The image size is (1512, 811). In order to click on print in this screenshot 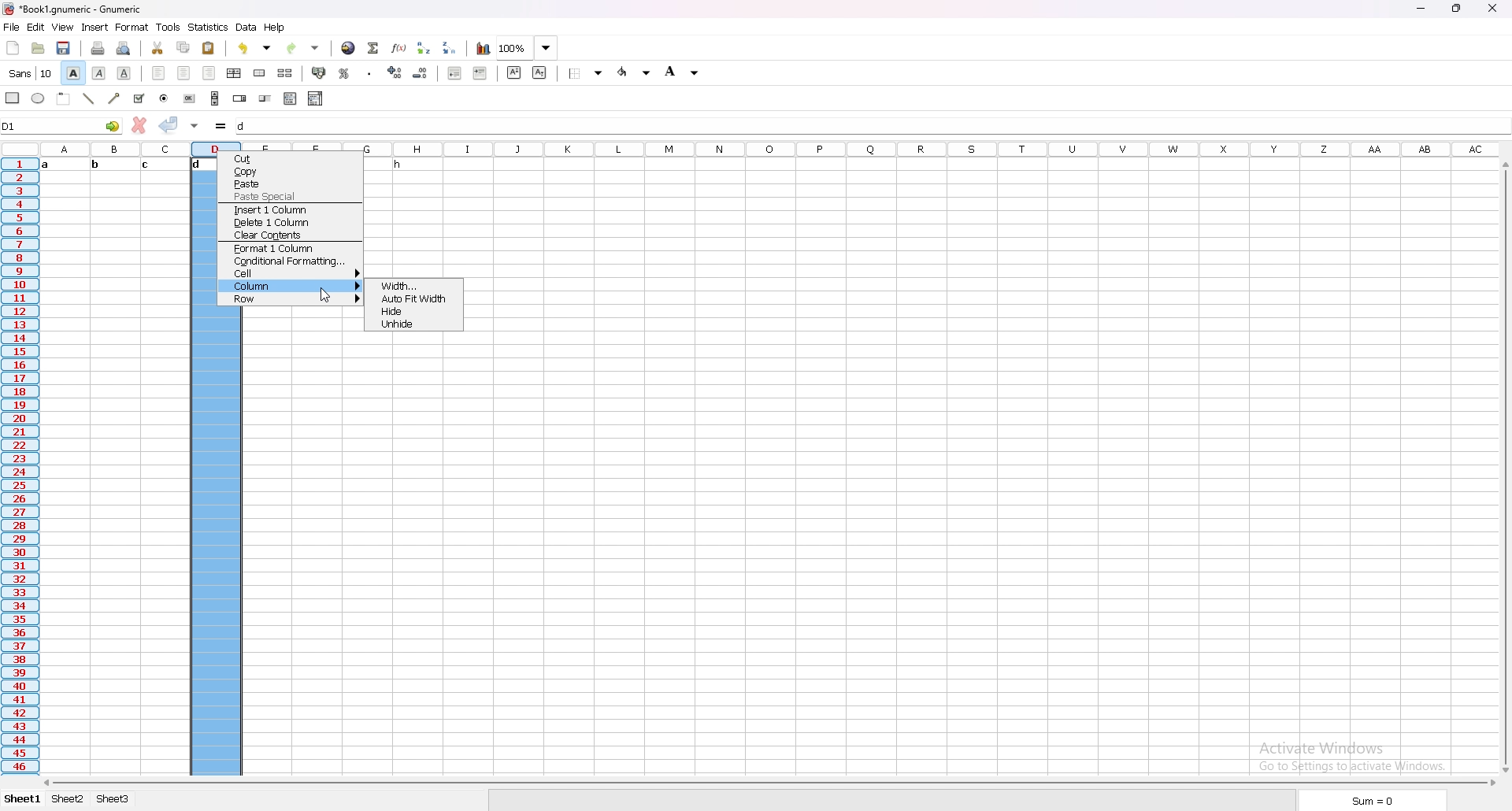, I will do `click(98, 49)`.